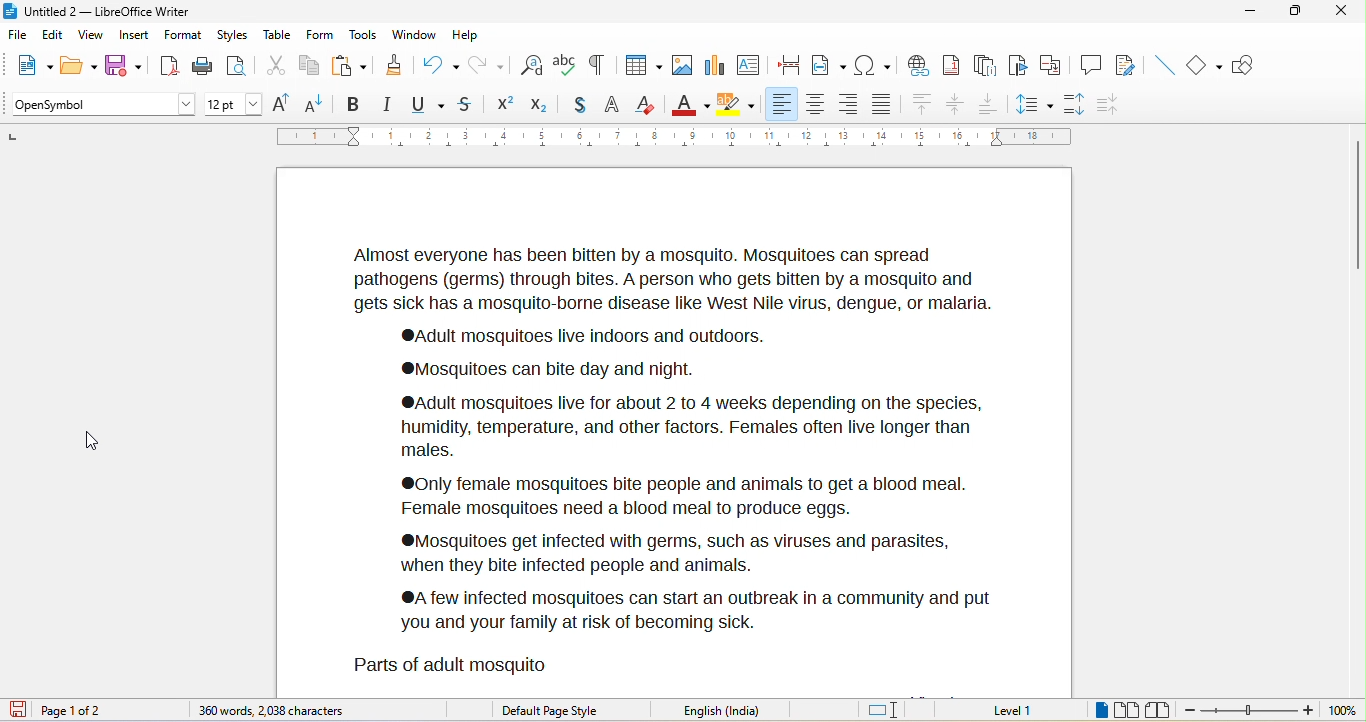 Image resolution: width=1366 pixels, height=722 pixels. I want to click on save, so click(123, 64).